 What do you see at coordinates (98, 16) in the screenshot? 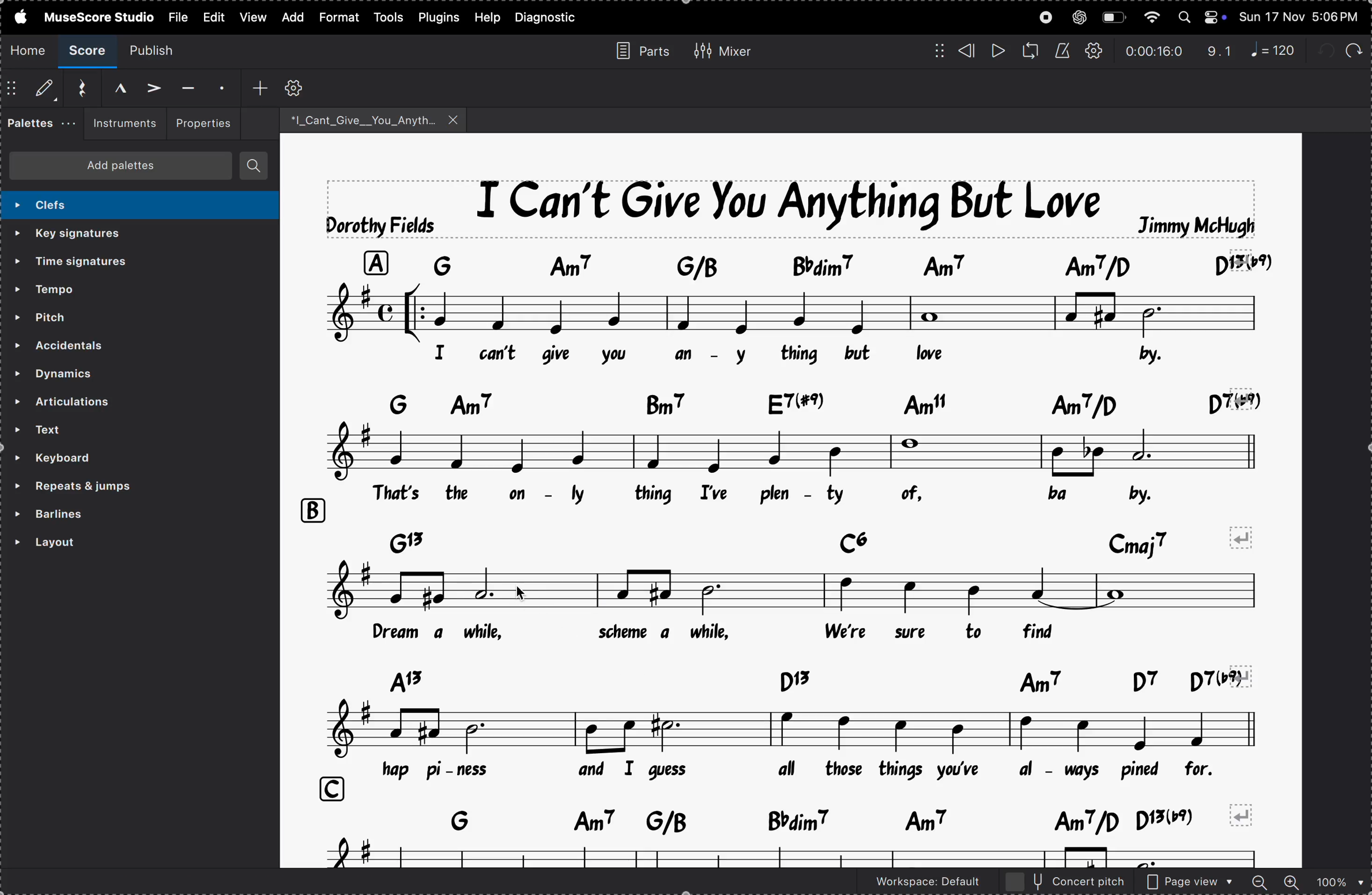
I see `musesscore studio` at bounding box center [98, 16].